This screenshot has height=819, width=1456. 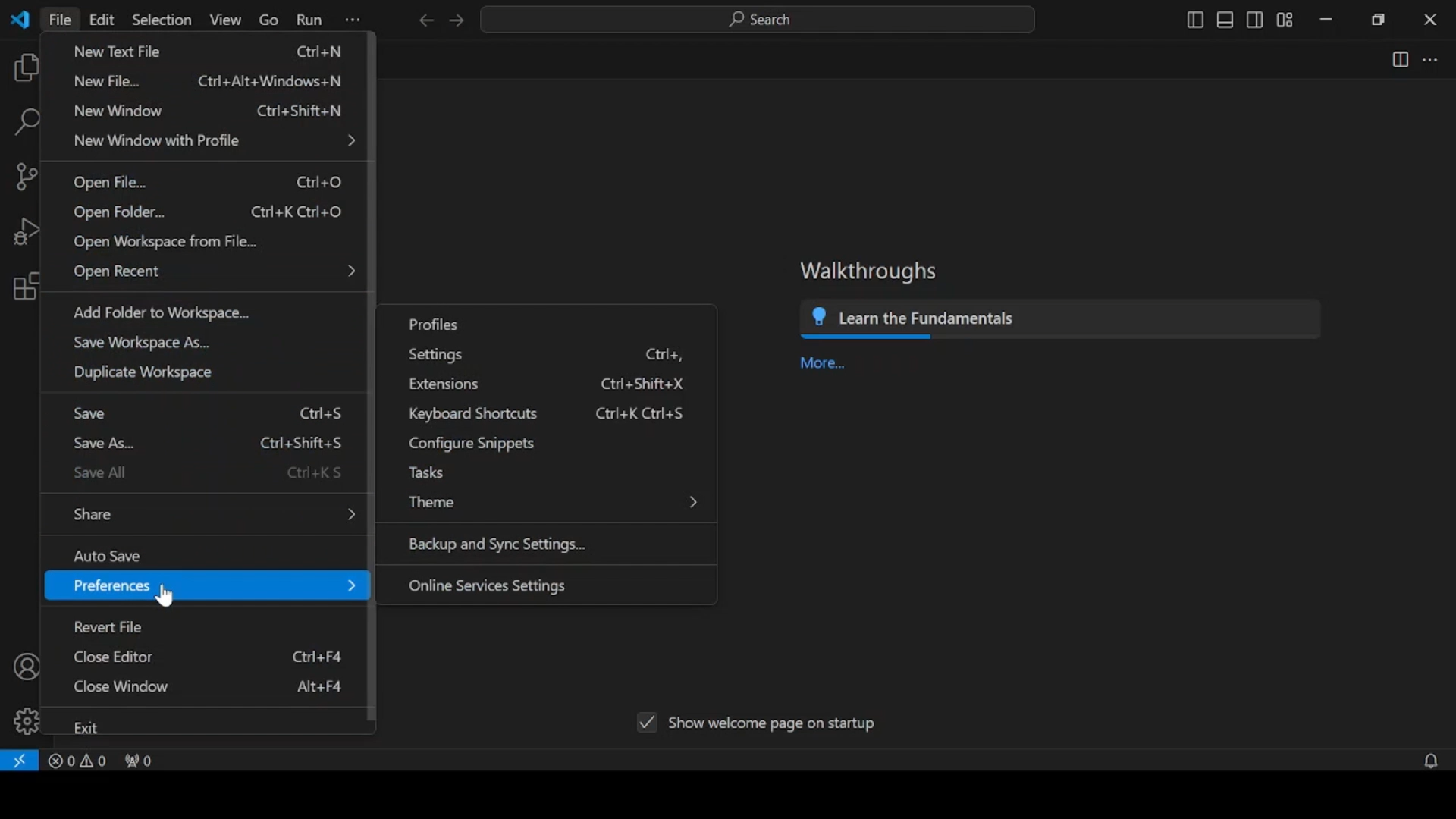 I want to click on backup and sync settings, so click(x=497, y=545).